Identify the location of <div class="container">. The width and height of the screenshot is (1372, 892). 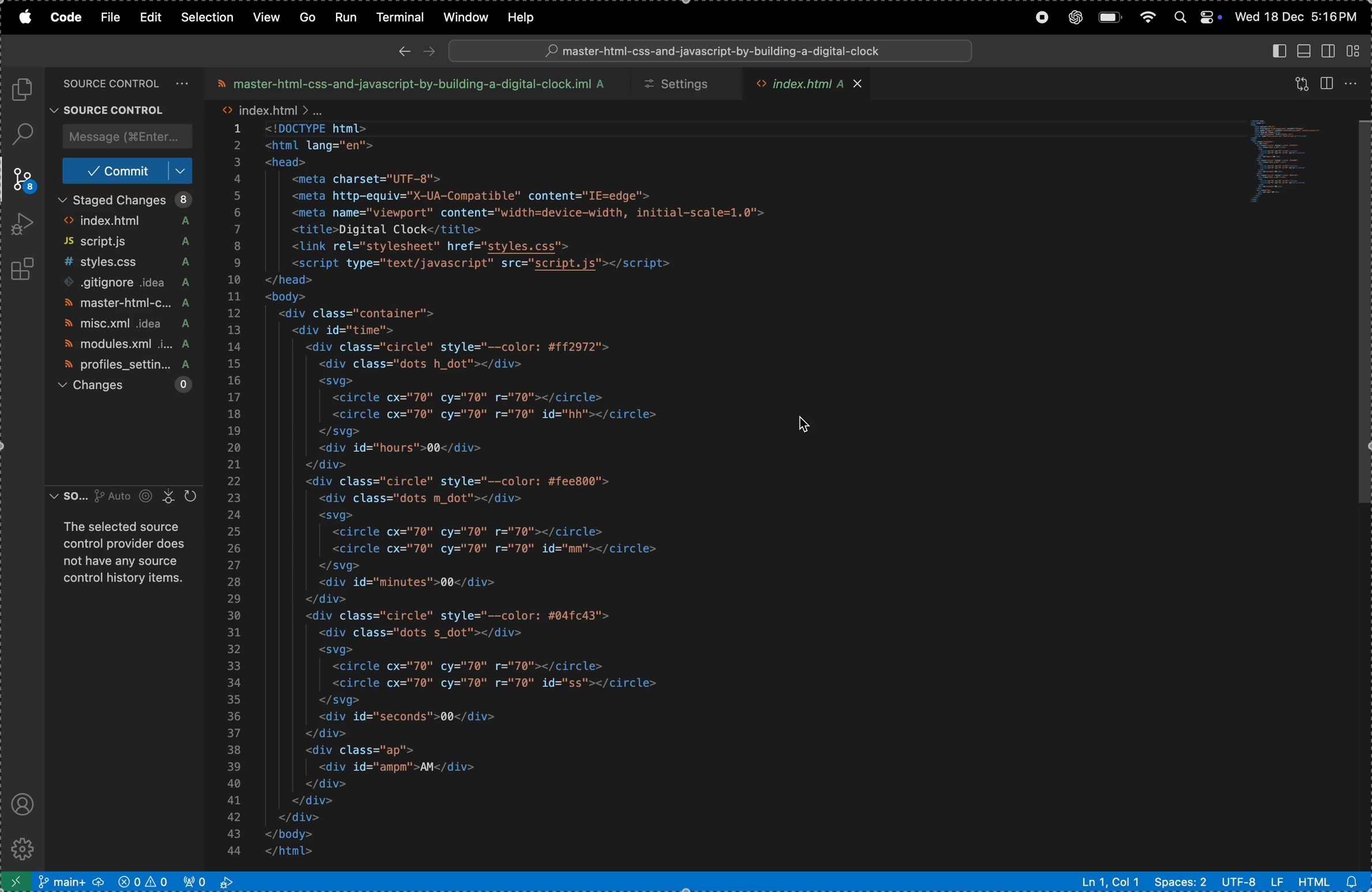
(356, 313).